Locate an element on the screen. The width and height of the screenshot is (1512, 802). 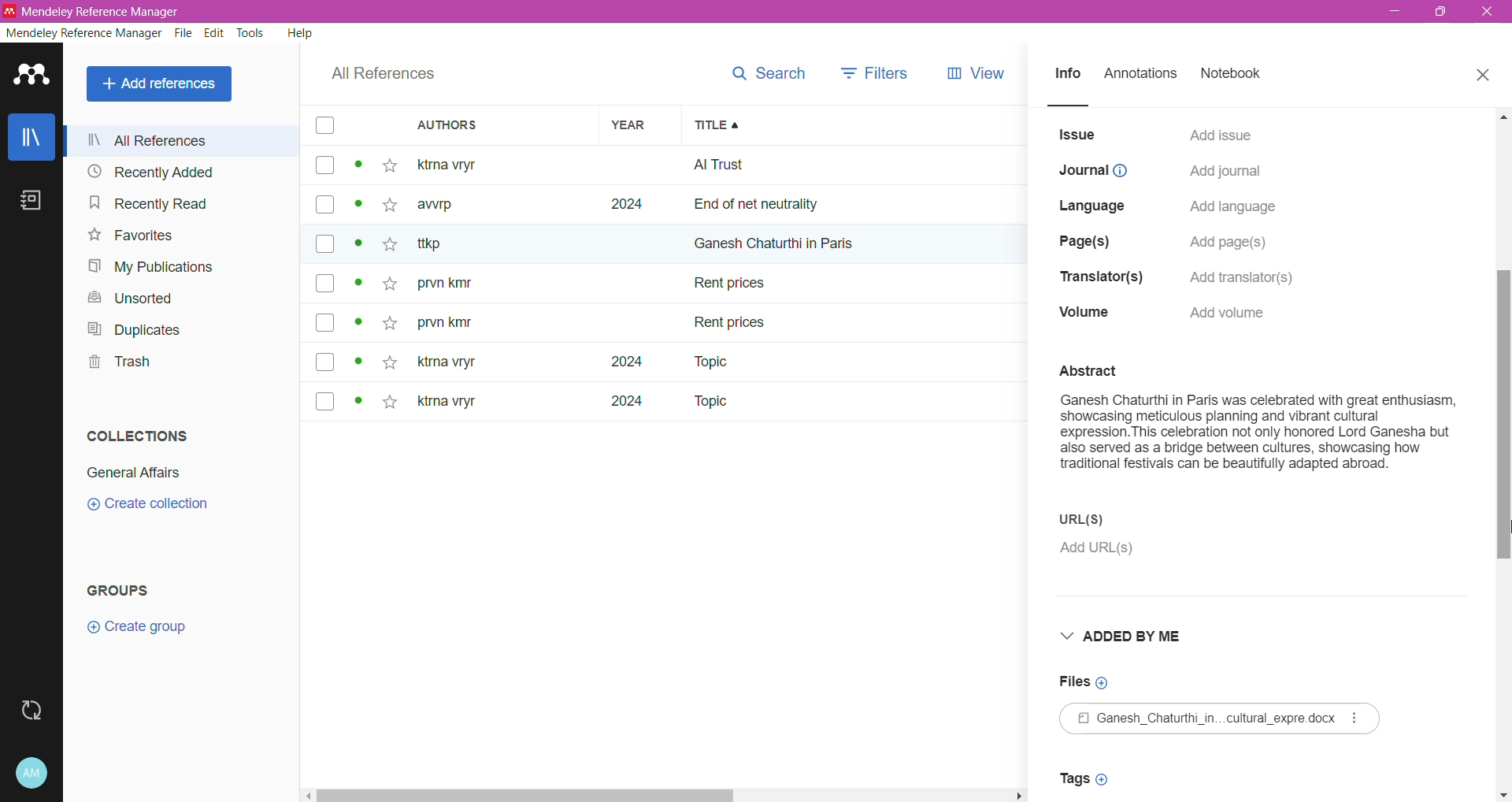
Year of the references is located at coordinates (640, 283).